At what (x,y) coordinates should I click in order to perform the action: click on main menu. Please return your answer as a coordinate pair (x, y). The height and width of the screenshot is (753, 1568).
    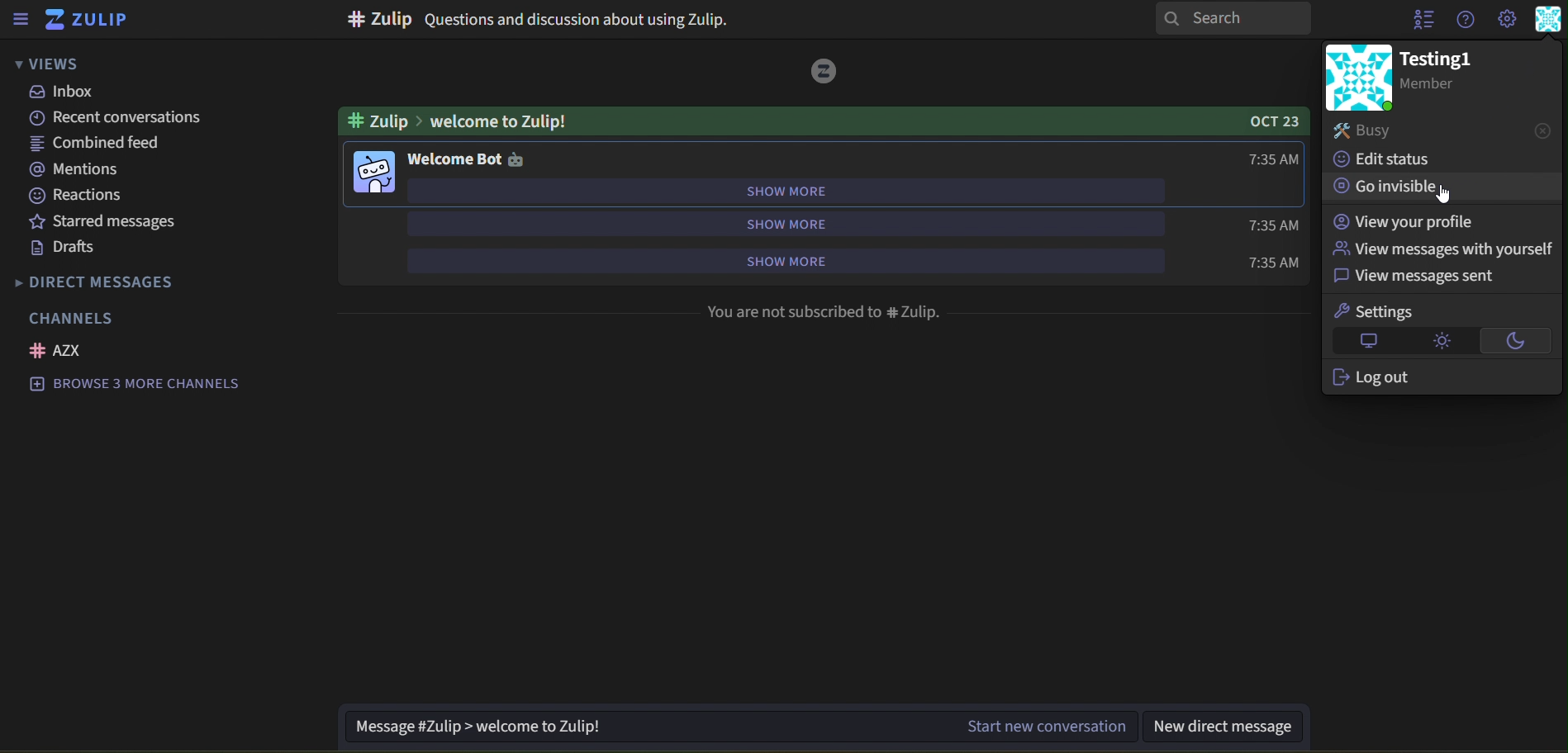
    Looking at the image, I should click on (1507, 19).